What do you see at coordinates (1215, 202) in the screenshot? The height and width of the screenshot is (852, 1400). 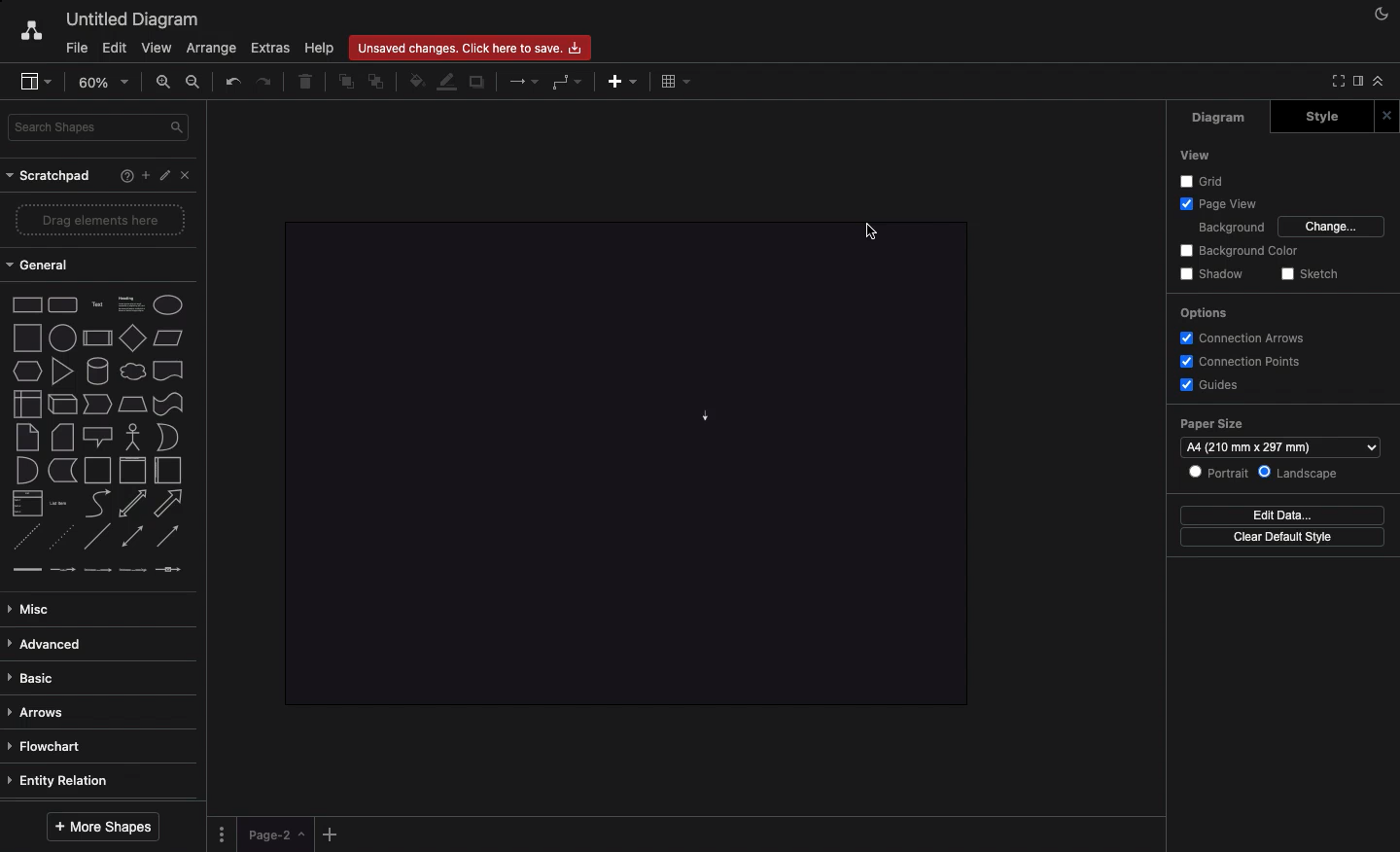 I see `Page view` at bounding box center [1215, 202].